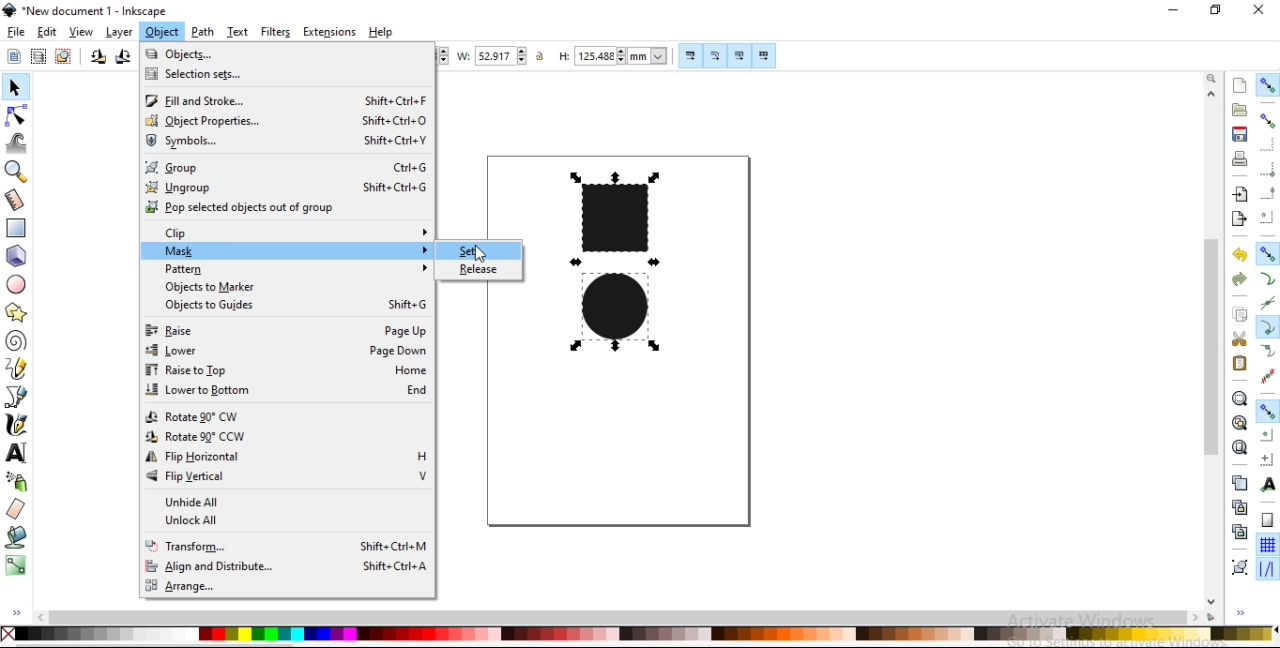 The image size is (1280, 648). Describe the element at coordinates (1239, 399) in the screenshot. I see `zoom to fit selection` at that location.